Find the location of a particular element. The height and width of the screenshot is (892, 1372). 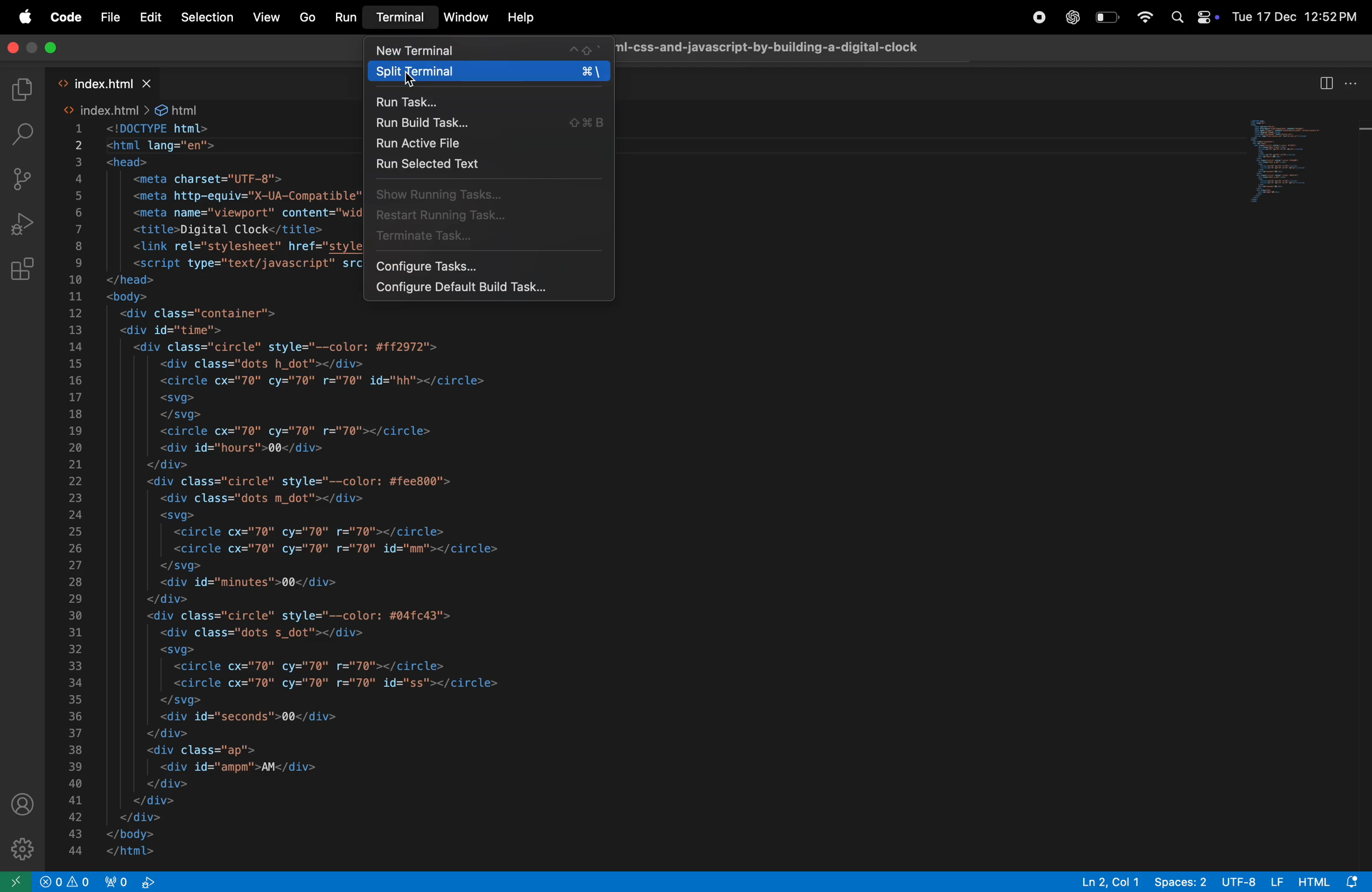

terminal is located at coordinates (401, 18).